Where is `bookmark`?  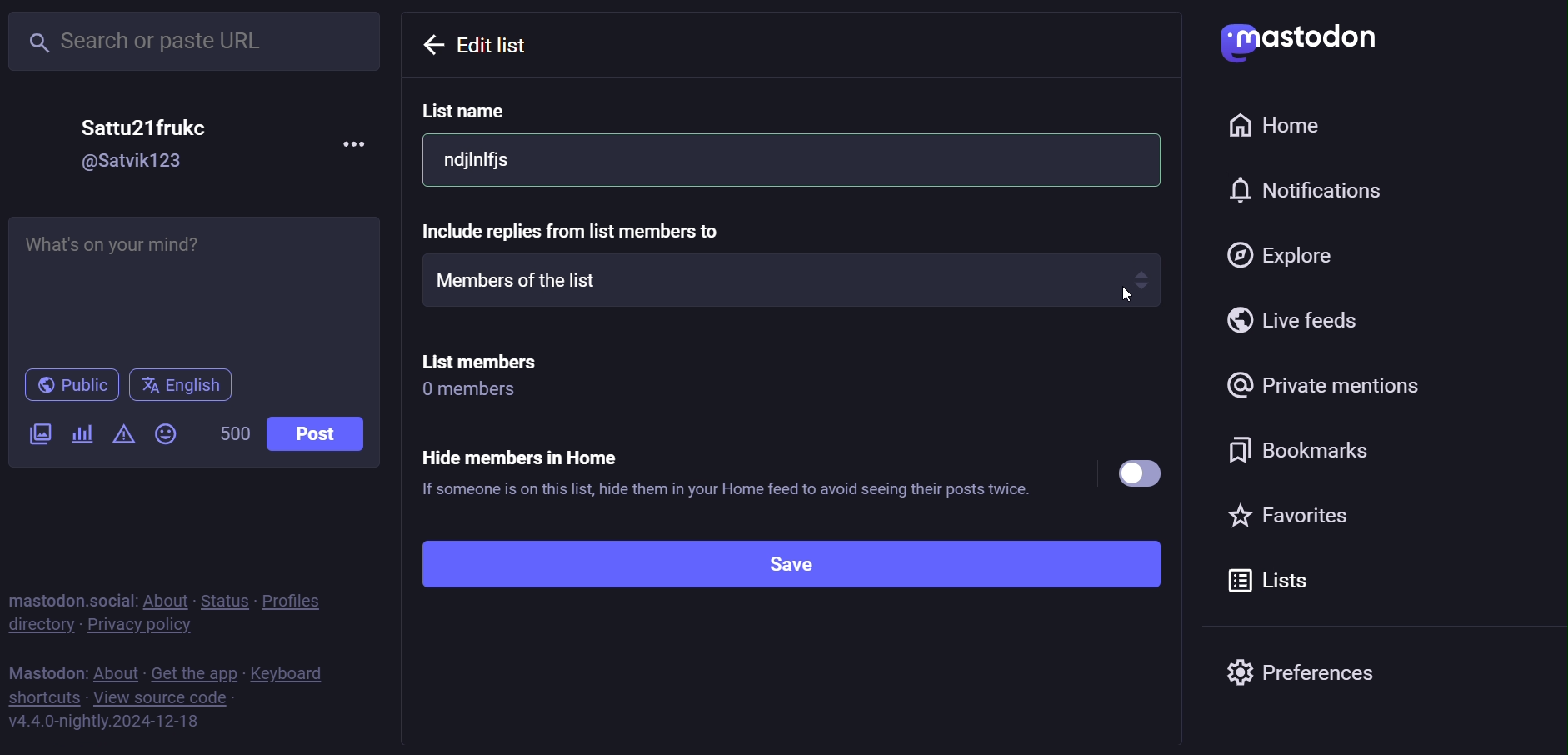 bookmark is located at coordinates (1307, 453).